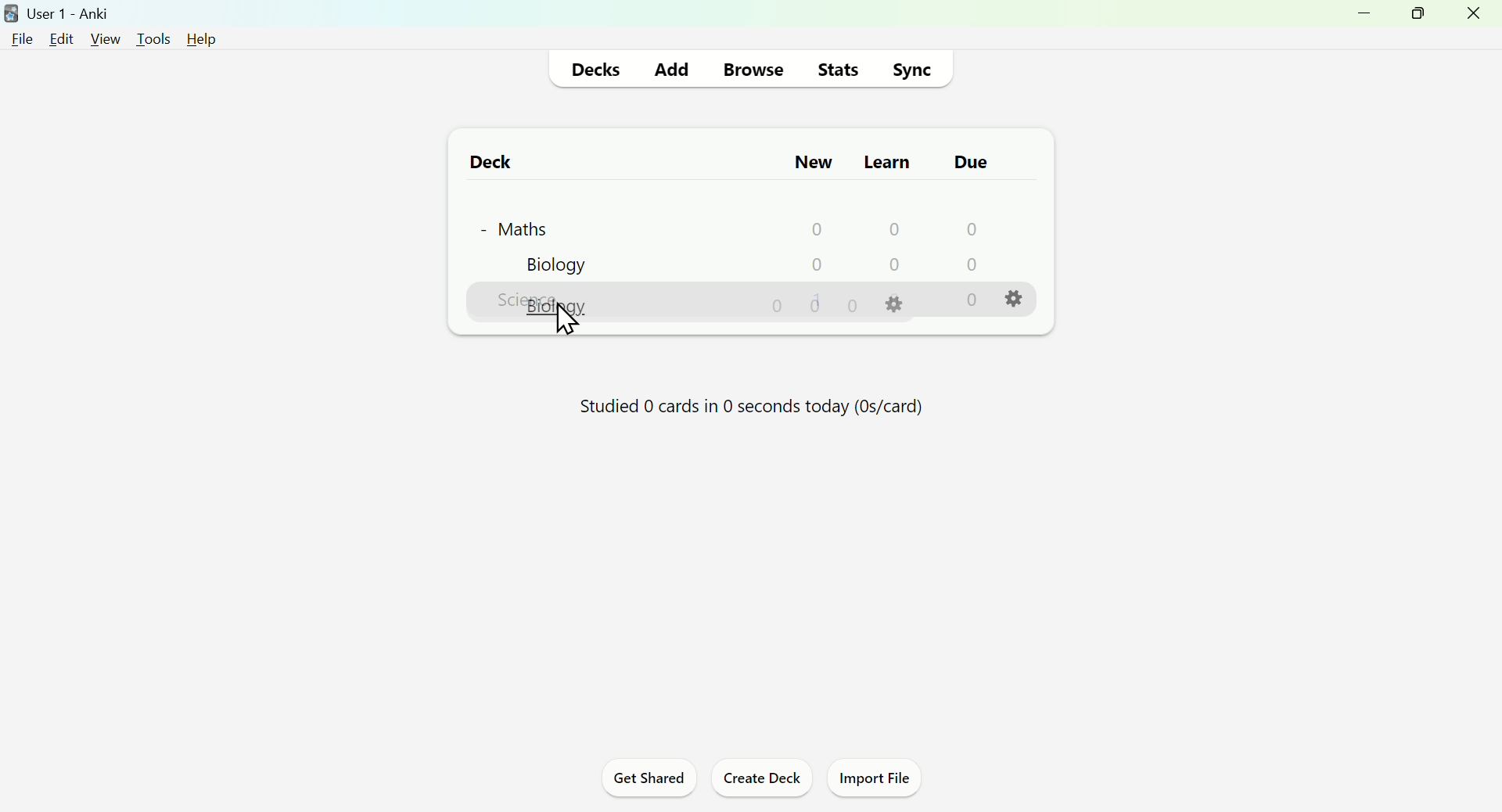 The width and height of the screenshot is (1502, 812). Describe the element at coordinates (23, 38) in the screenshot. I see `File` at that location.